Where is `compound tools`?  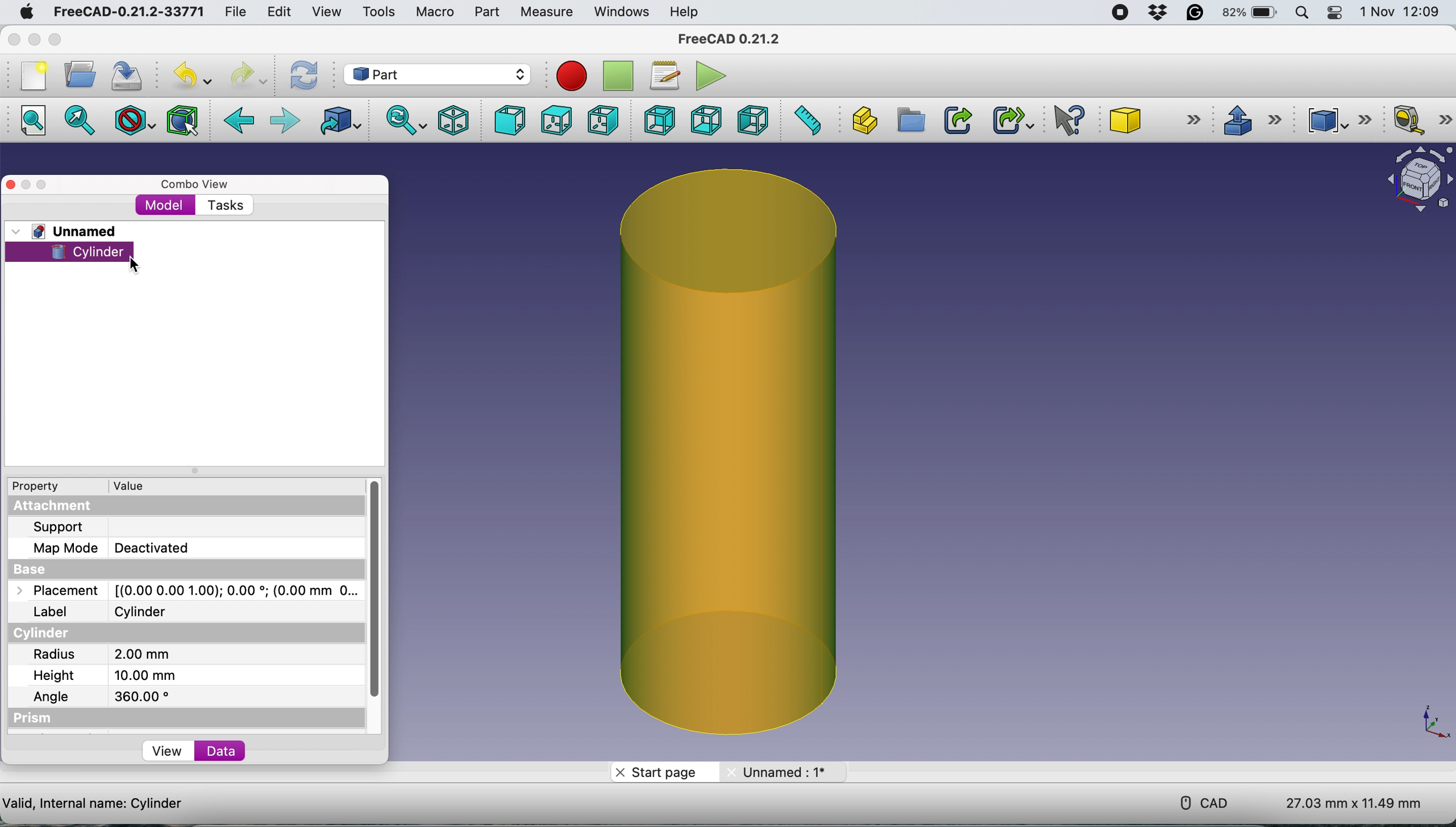
compound tools is located at coordinates (1338, 119).